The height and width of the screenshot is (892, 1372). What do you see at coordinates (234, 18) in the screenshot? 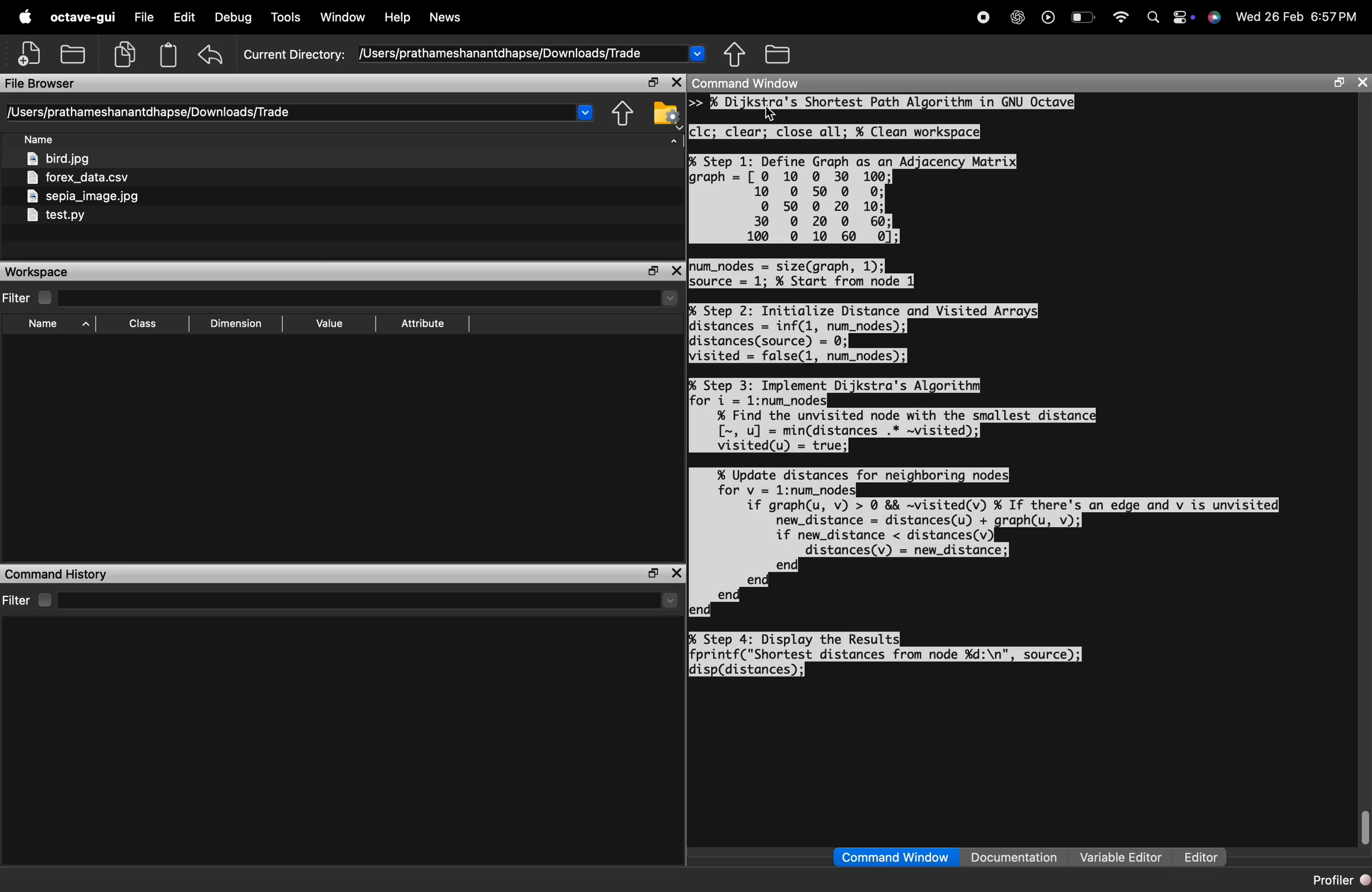
I see `debug` at bounding box center [234, 18].